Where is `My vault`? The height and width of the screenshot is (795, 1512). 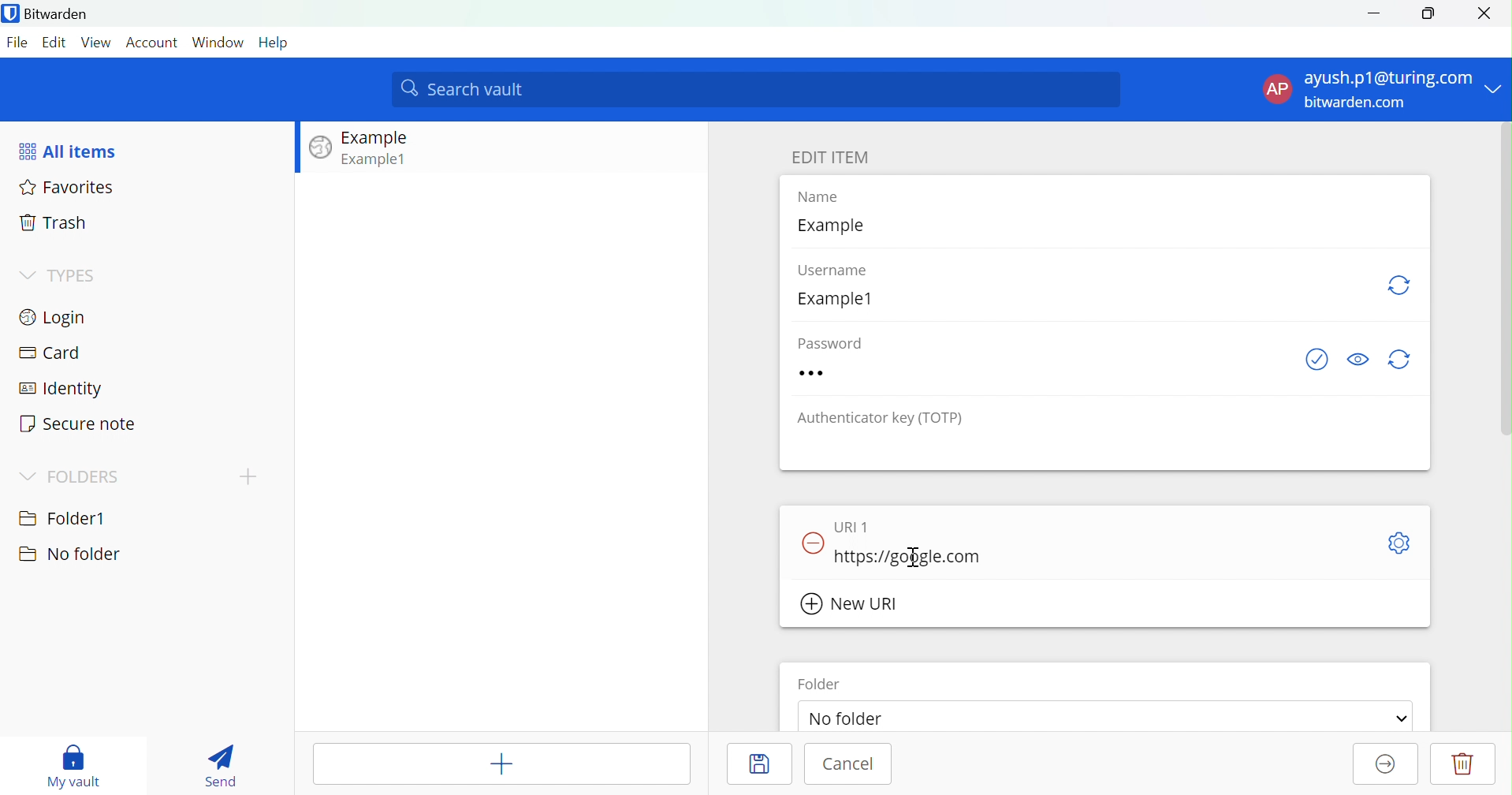 My vault is located at coordinates (74, 763).